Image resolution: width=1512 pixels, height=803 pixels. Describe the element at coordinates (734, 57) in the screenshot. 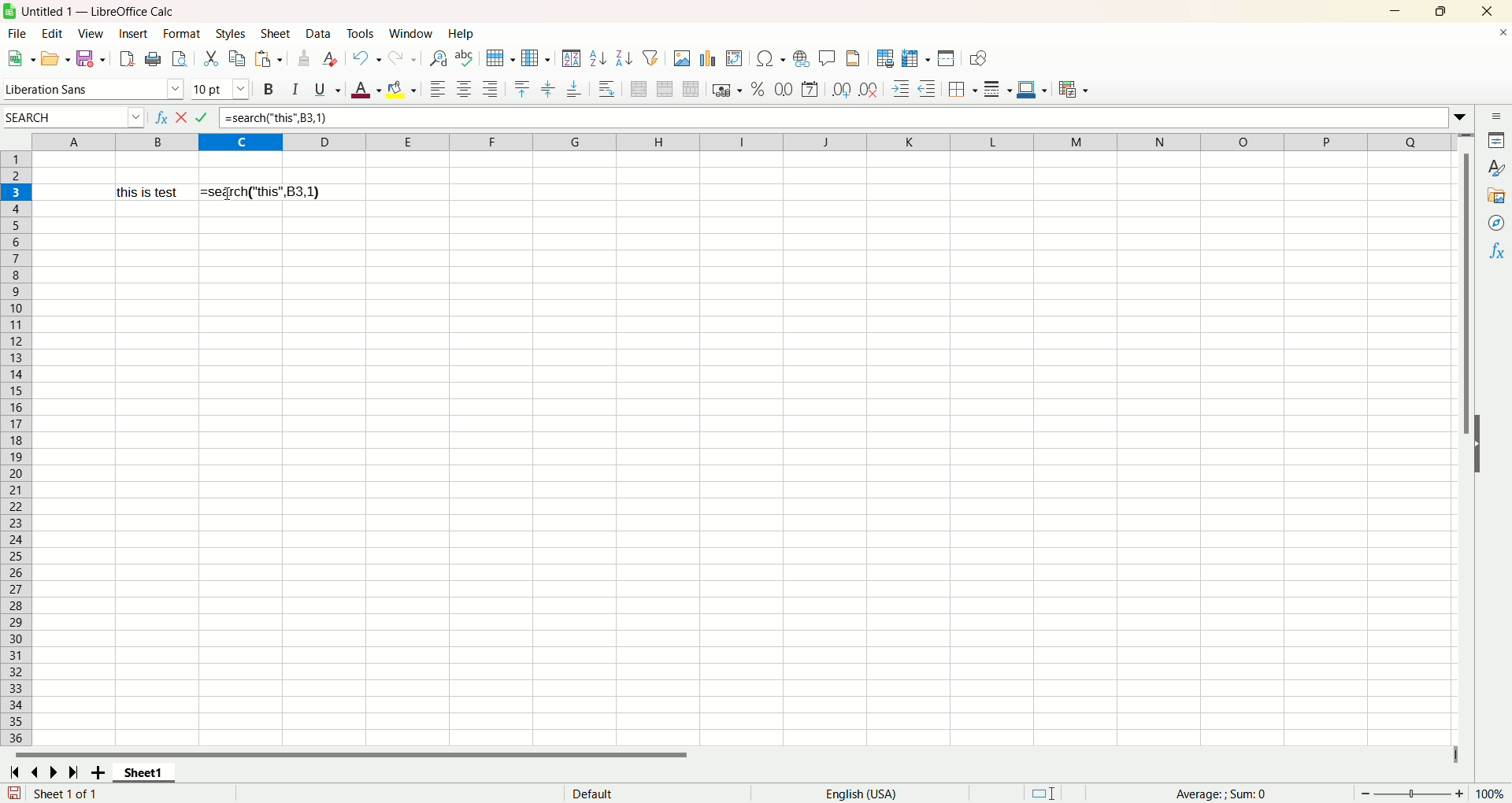

I see `pivot table` at that location.